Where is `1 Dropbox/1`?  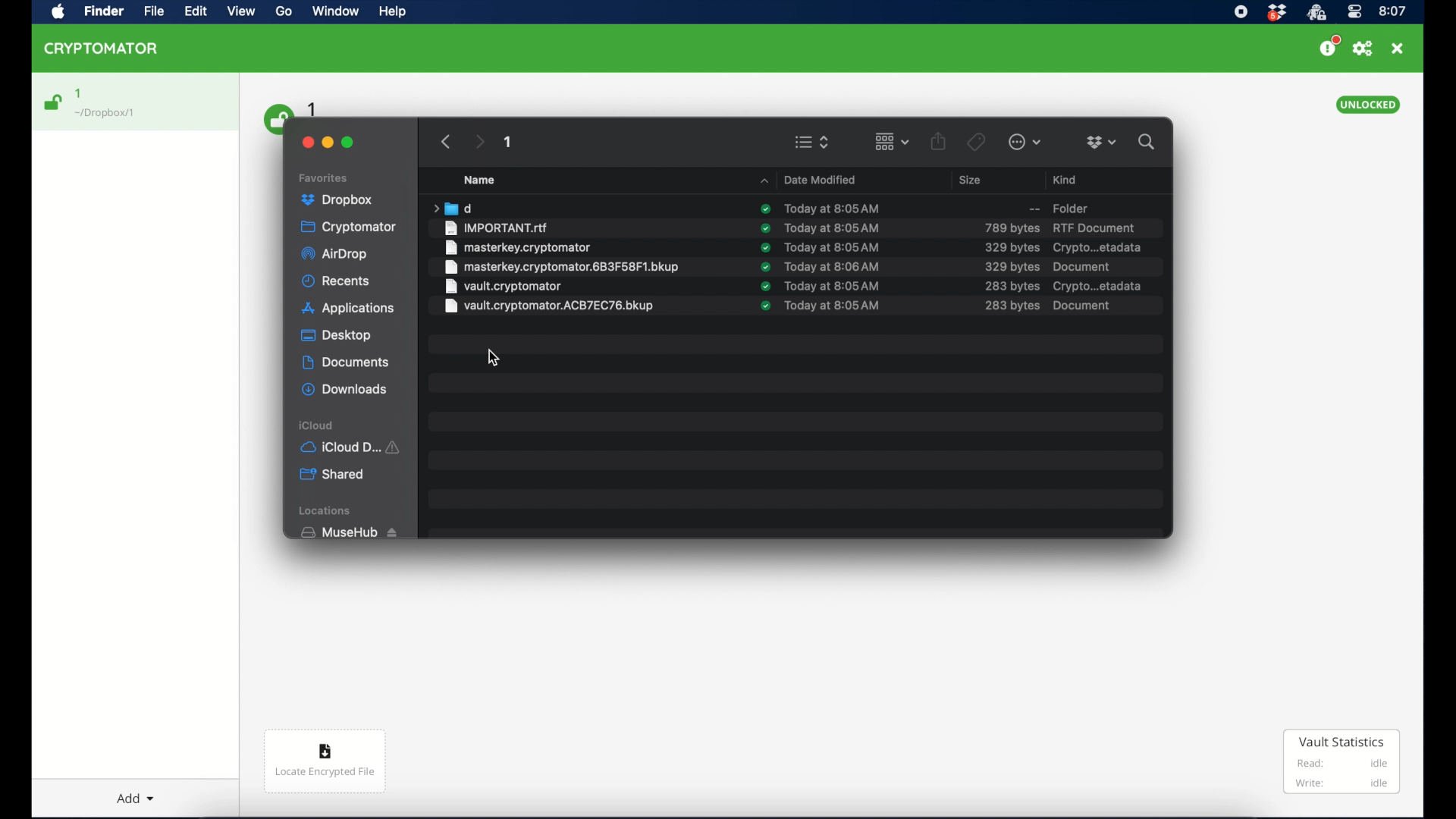
1 Dropbox/1 is located at coordinates (115, 104).